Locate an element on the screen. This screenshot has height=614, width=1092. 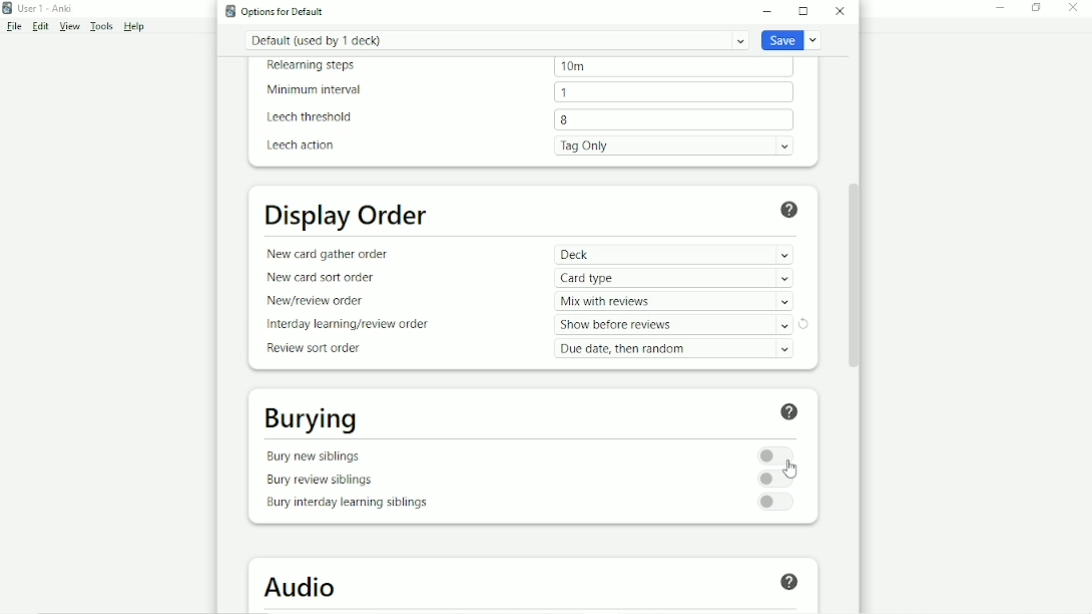
Help is located at coordinates (792, 414).